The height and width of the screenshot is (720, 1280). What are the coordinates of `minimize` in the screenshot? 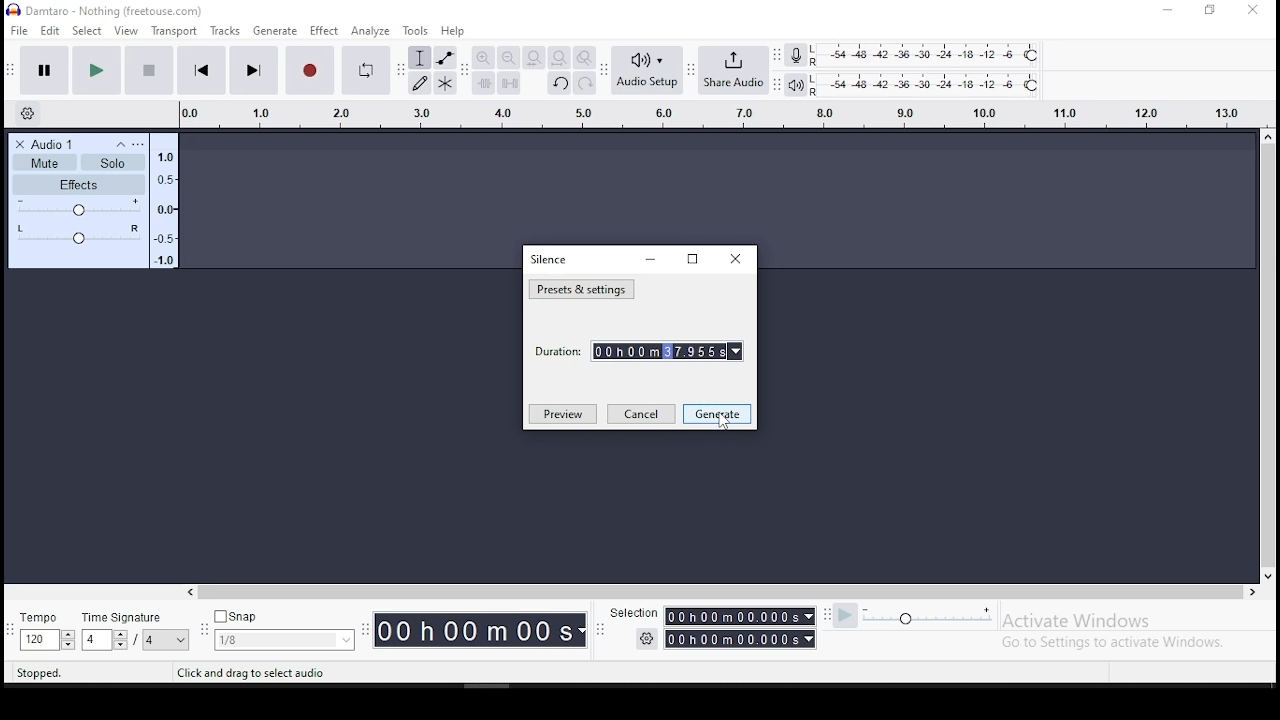 It's located at (1167, 11).